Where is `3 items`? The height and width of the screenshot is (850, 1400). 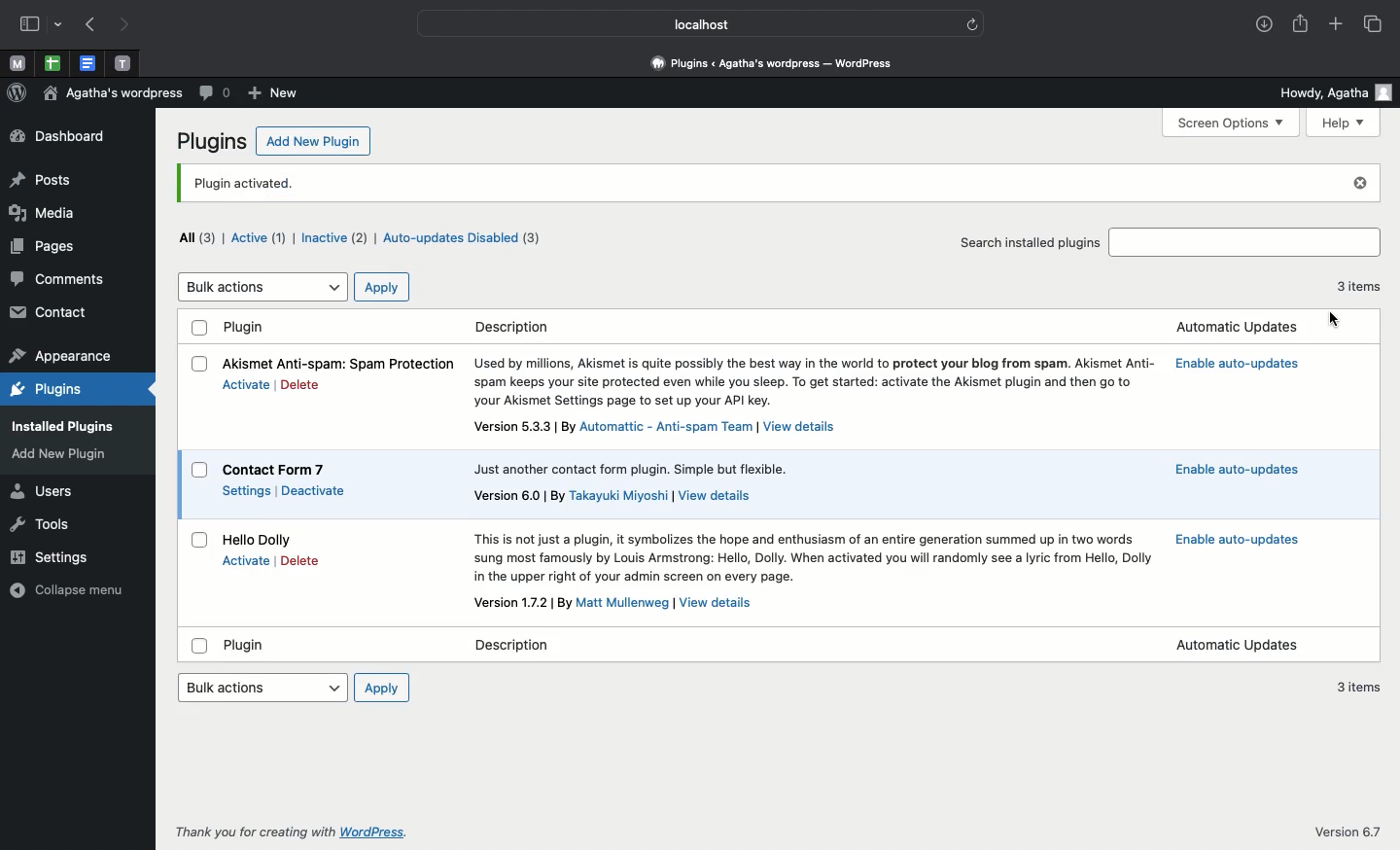
3 items is located at coordinates (1360, 691).